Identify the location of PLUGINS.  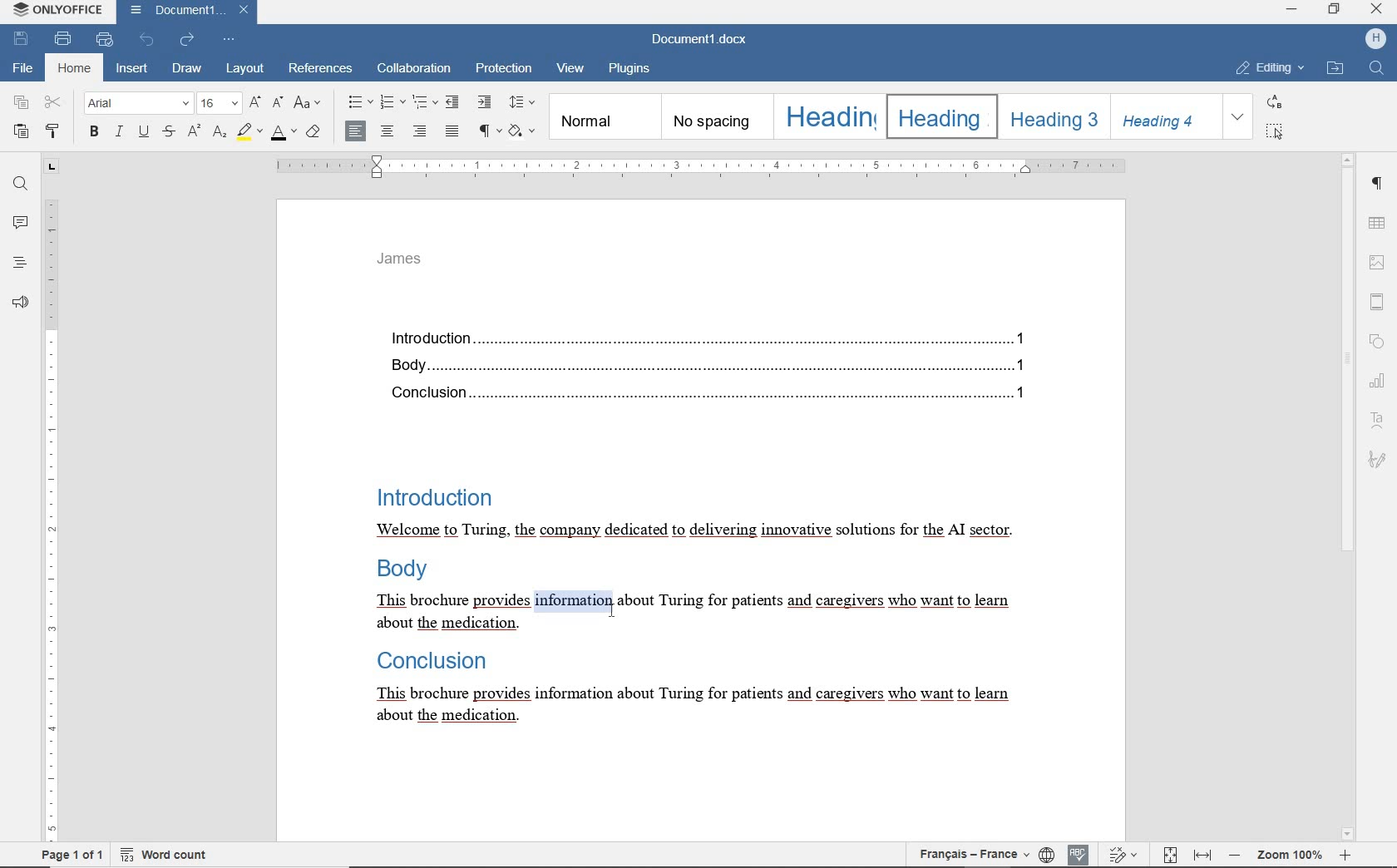
(634, 70).